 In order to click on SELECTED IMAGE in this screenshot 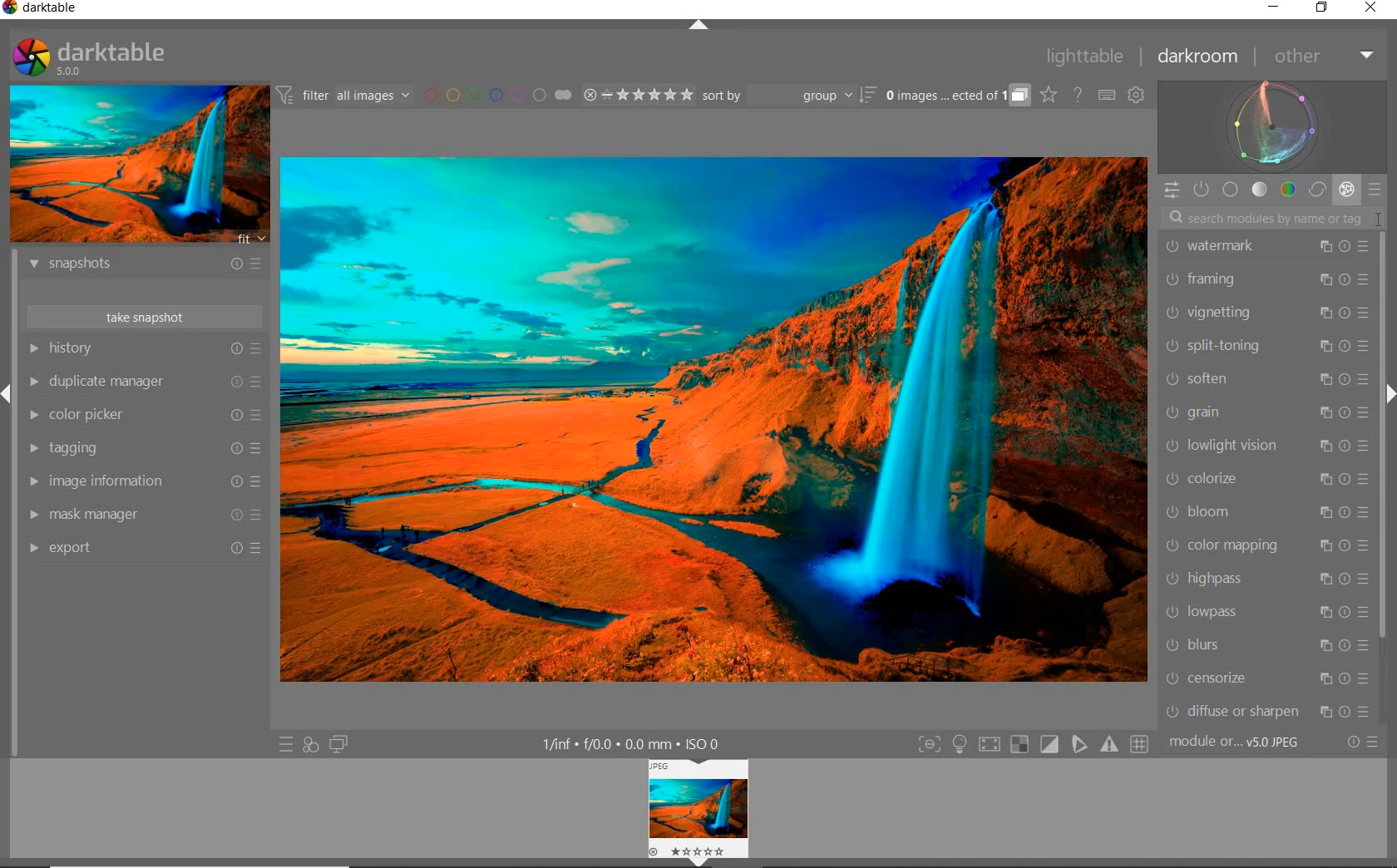, I will do `click(711, 417)`.